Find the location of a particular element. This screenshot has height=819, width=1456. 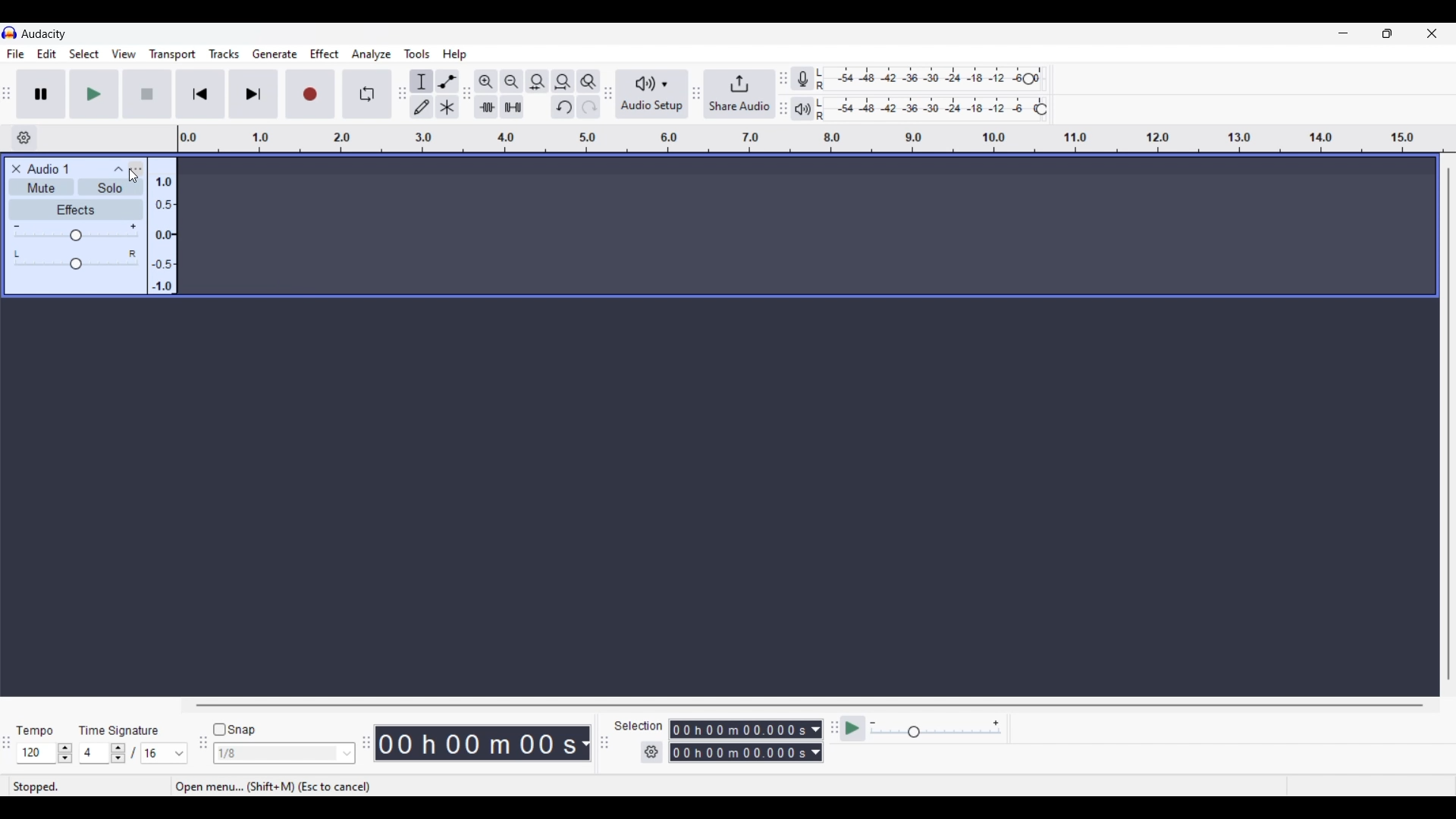

View menu is located at coordinates (124, 54).